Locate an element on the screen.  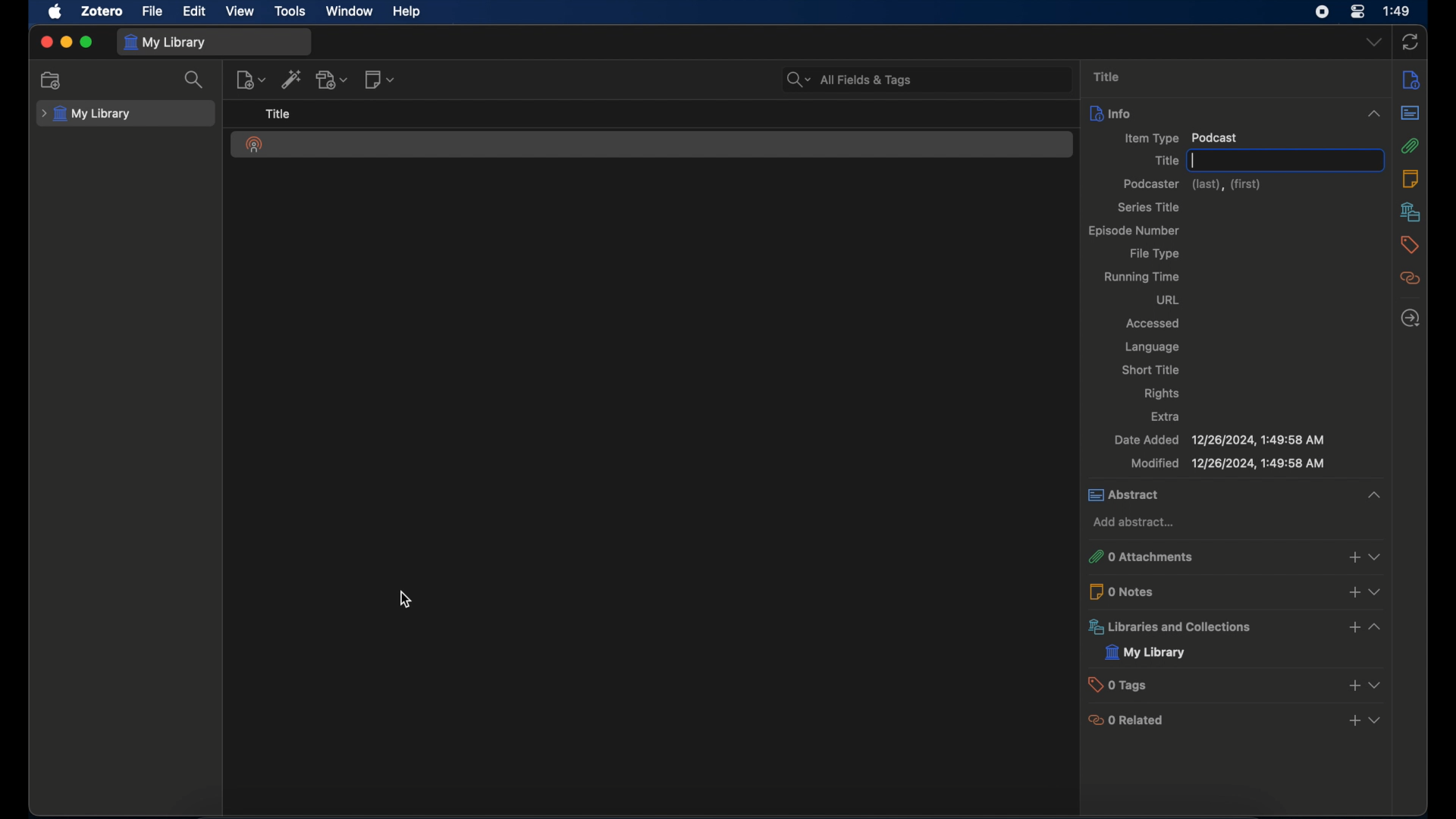
add attachment is located at coordinates (332, 79).